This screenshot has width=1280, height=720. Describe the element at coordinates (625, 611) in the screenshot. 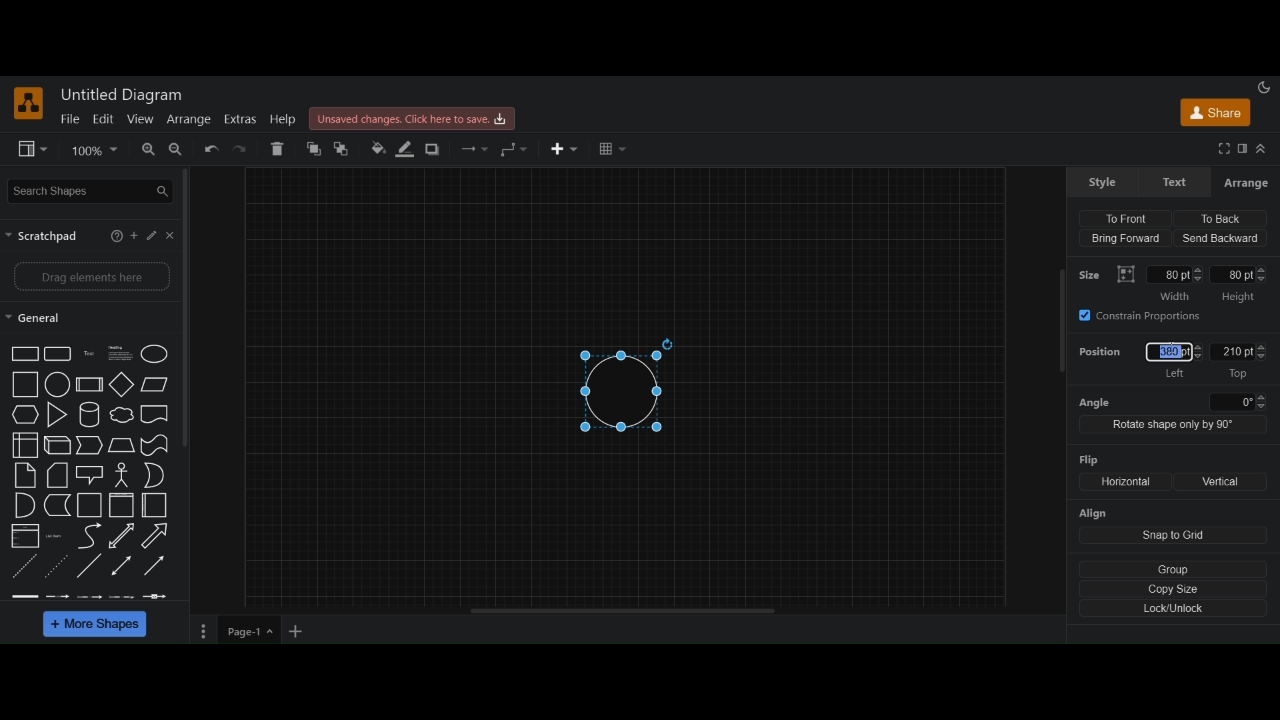

I see `horizontall scroll bar` at that location.